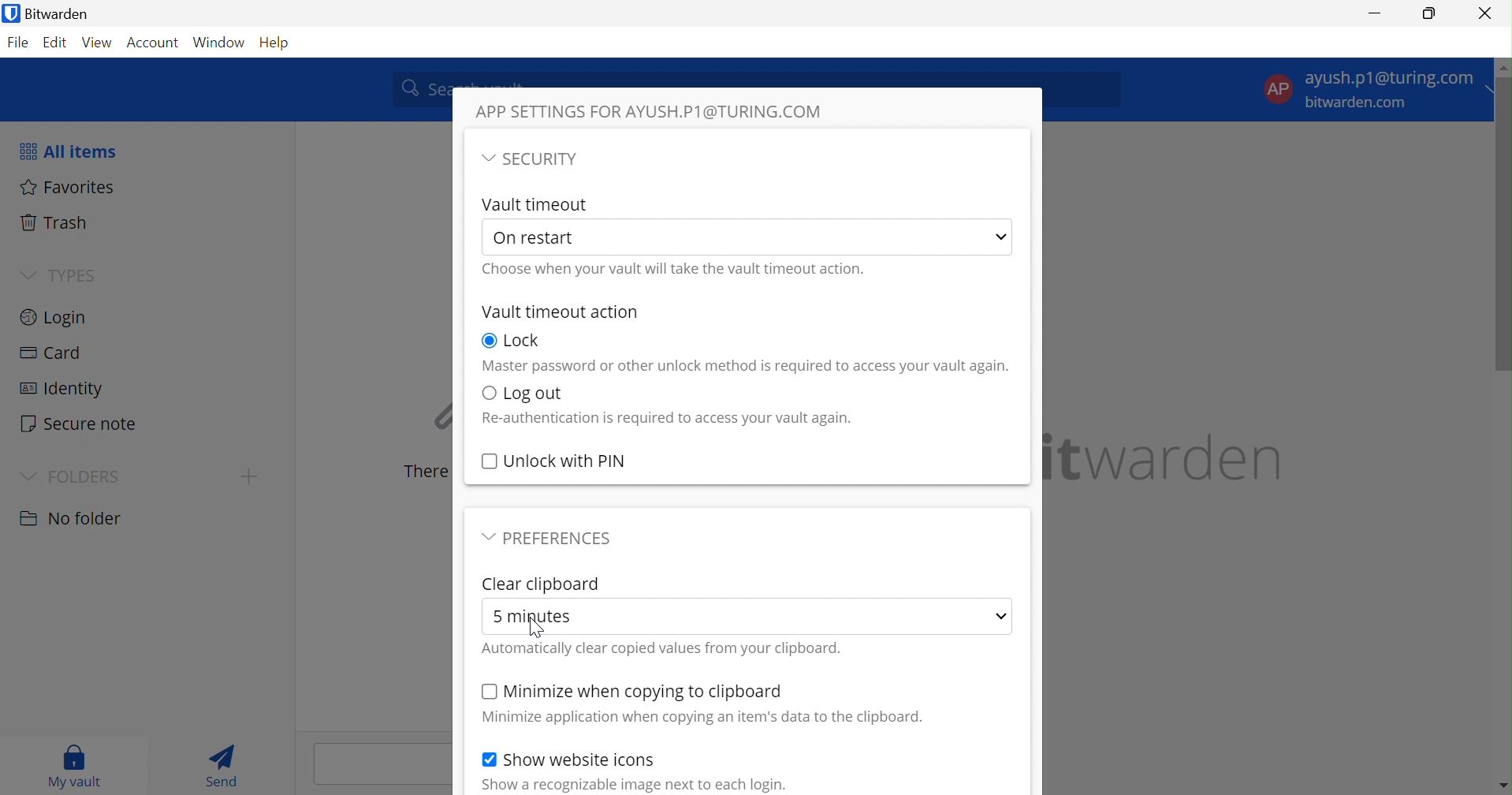  What do you see at coordinates (488, 460) in the screenshot?
I see `Checkbox` at bounding box center [488, 460].